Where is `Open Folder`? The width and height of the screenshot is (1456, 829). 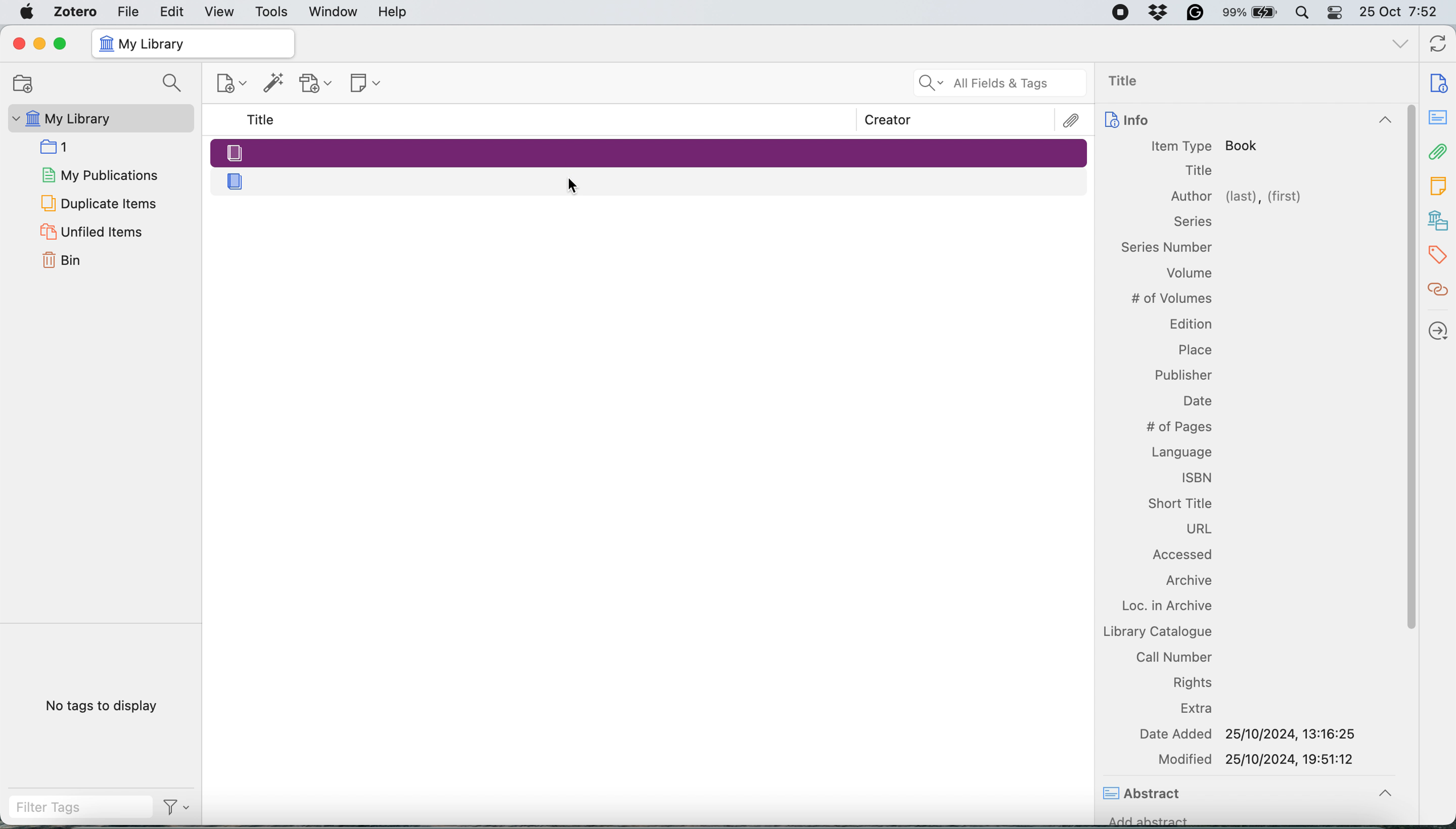
Open Folder is located at coordinates (21, 83).